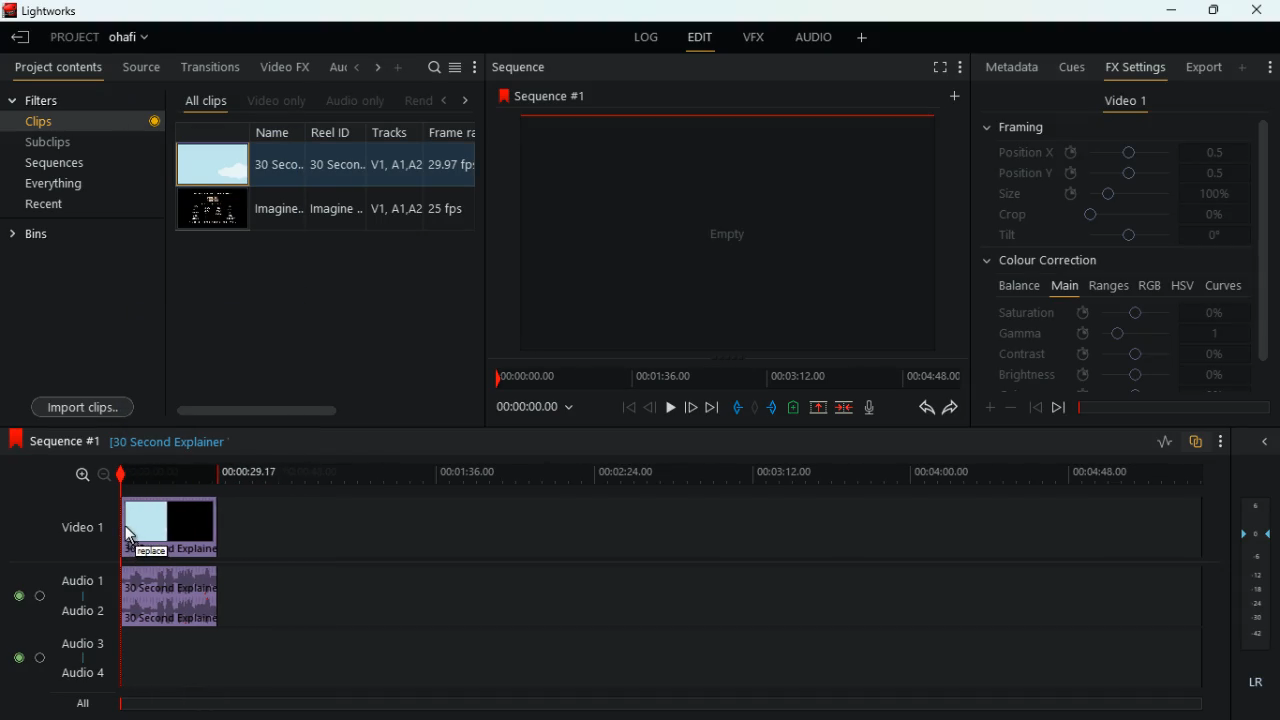 The width and height of the screenshot is (1280, 720). Describe the element at coordinates (1118, 216) in the screenshot. I see `crop` at that location.